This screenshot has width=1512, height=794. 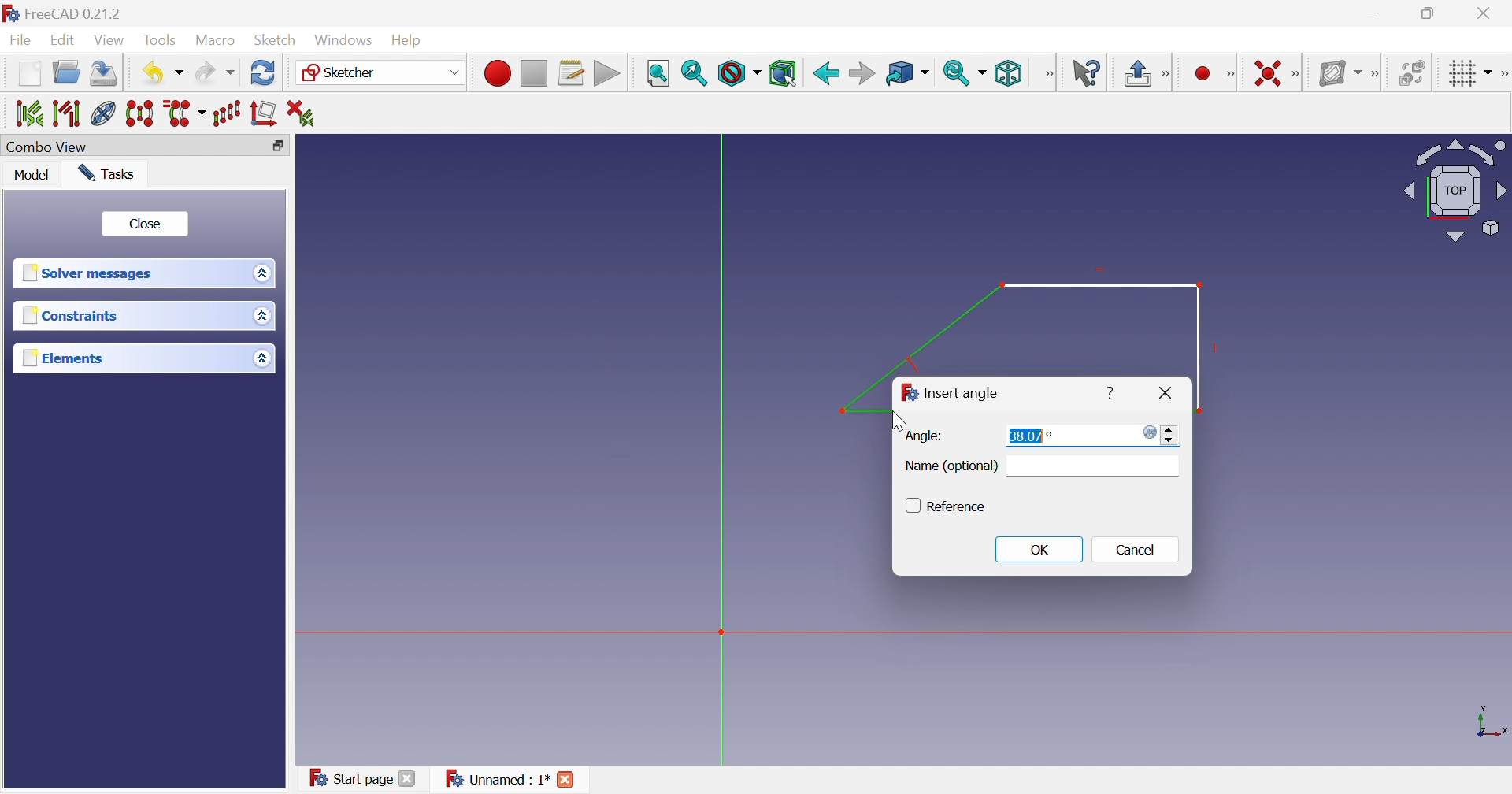 I want to click on Open, so click(x=69, y=75).